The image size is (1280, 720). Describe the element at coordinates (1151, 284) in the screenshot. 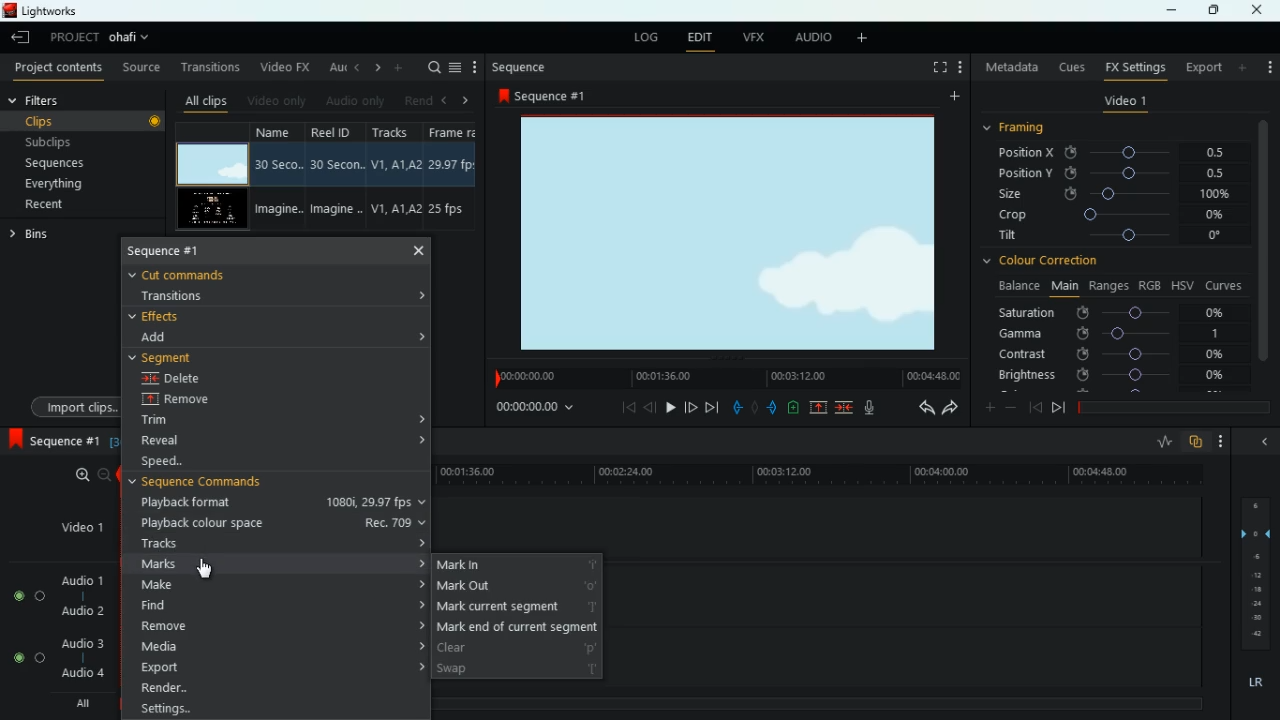

I see `rgb` at that location.